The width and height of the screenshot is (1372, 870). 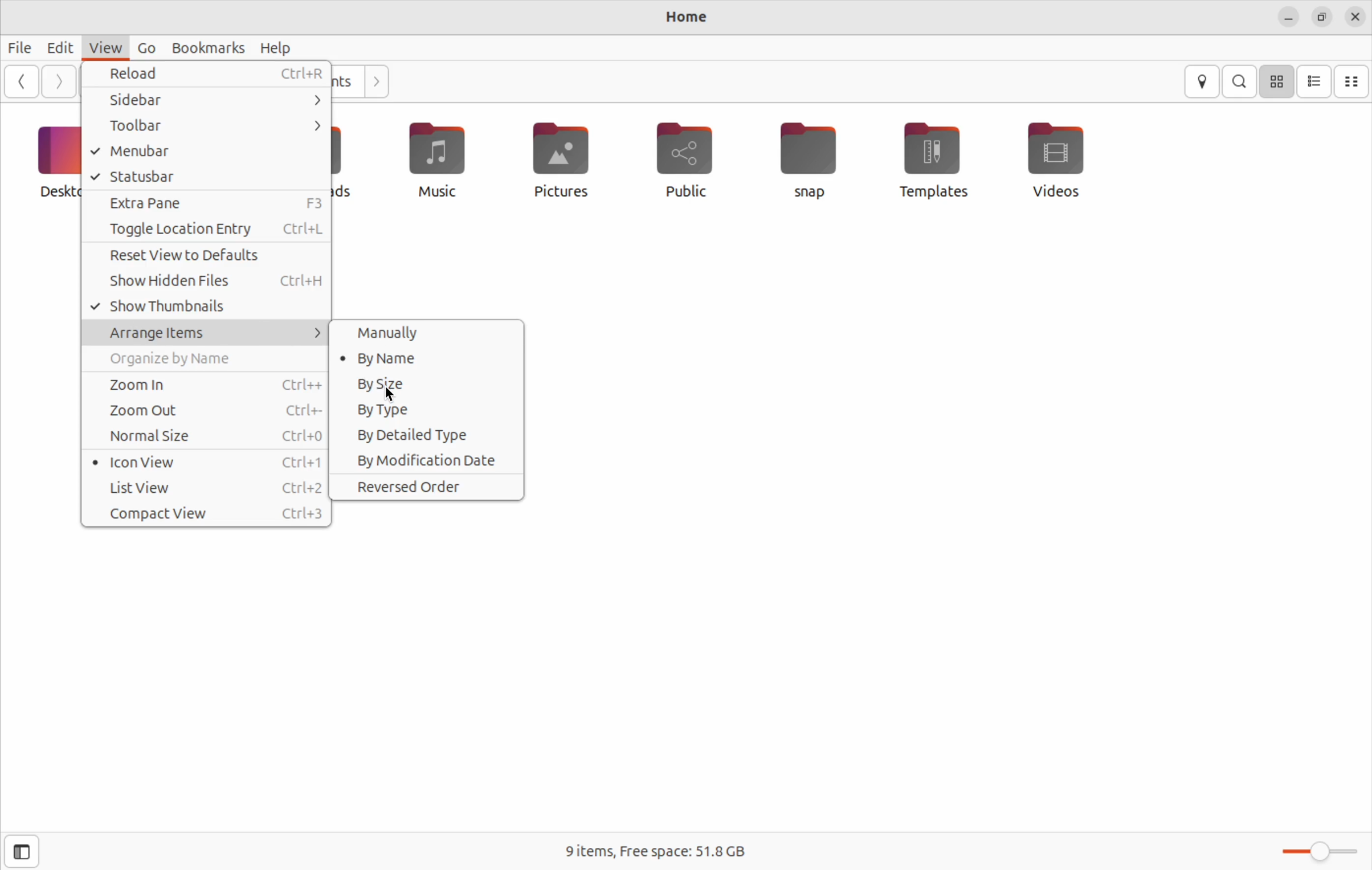 I want to click on icon view, so click(x=207, y=463).